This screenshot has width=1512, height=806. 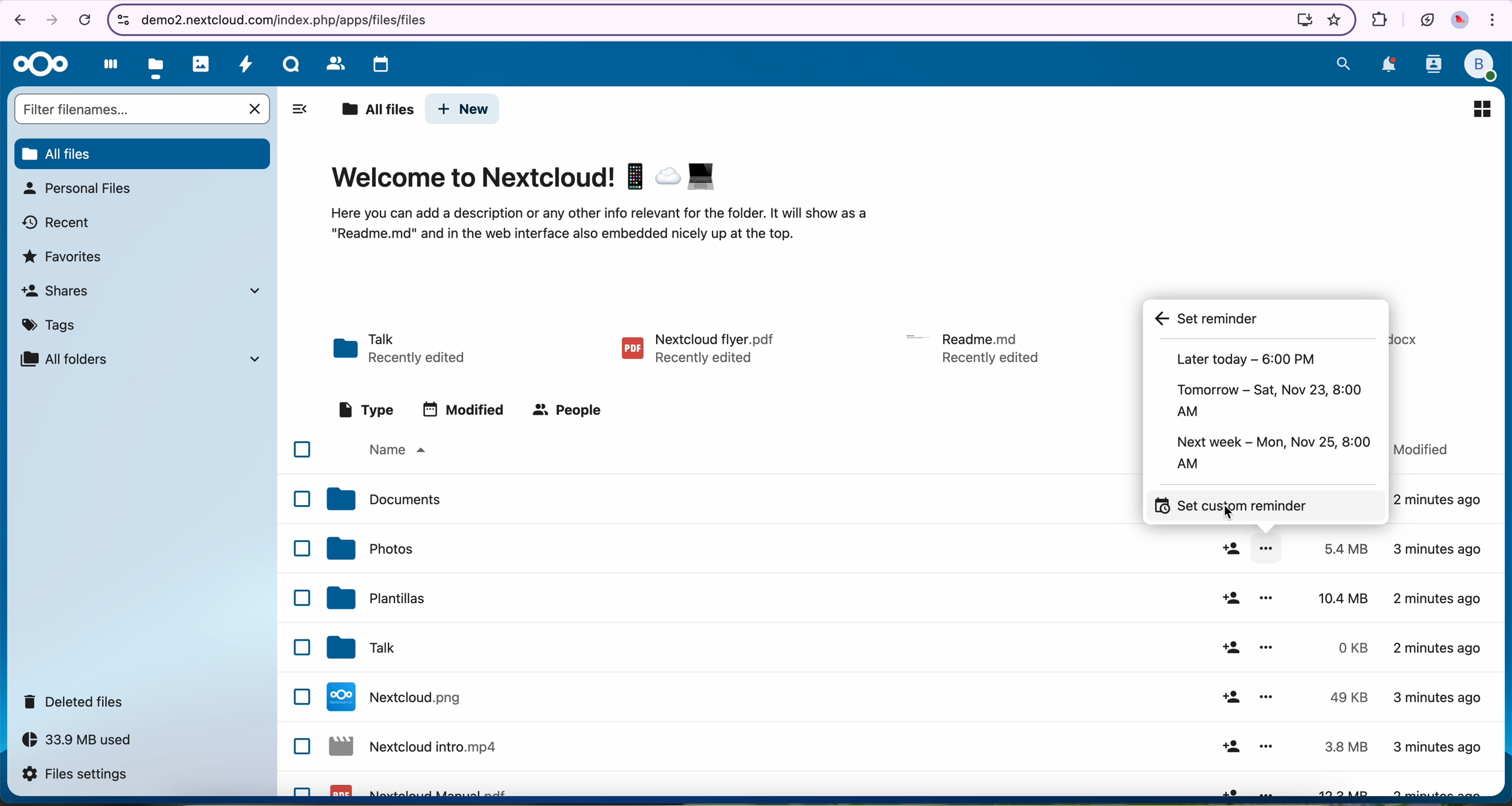 I want to click on set reminder, so click(x=1203, y=317).